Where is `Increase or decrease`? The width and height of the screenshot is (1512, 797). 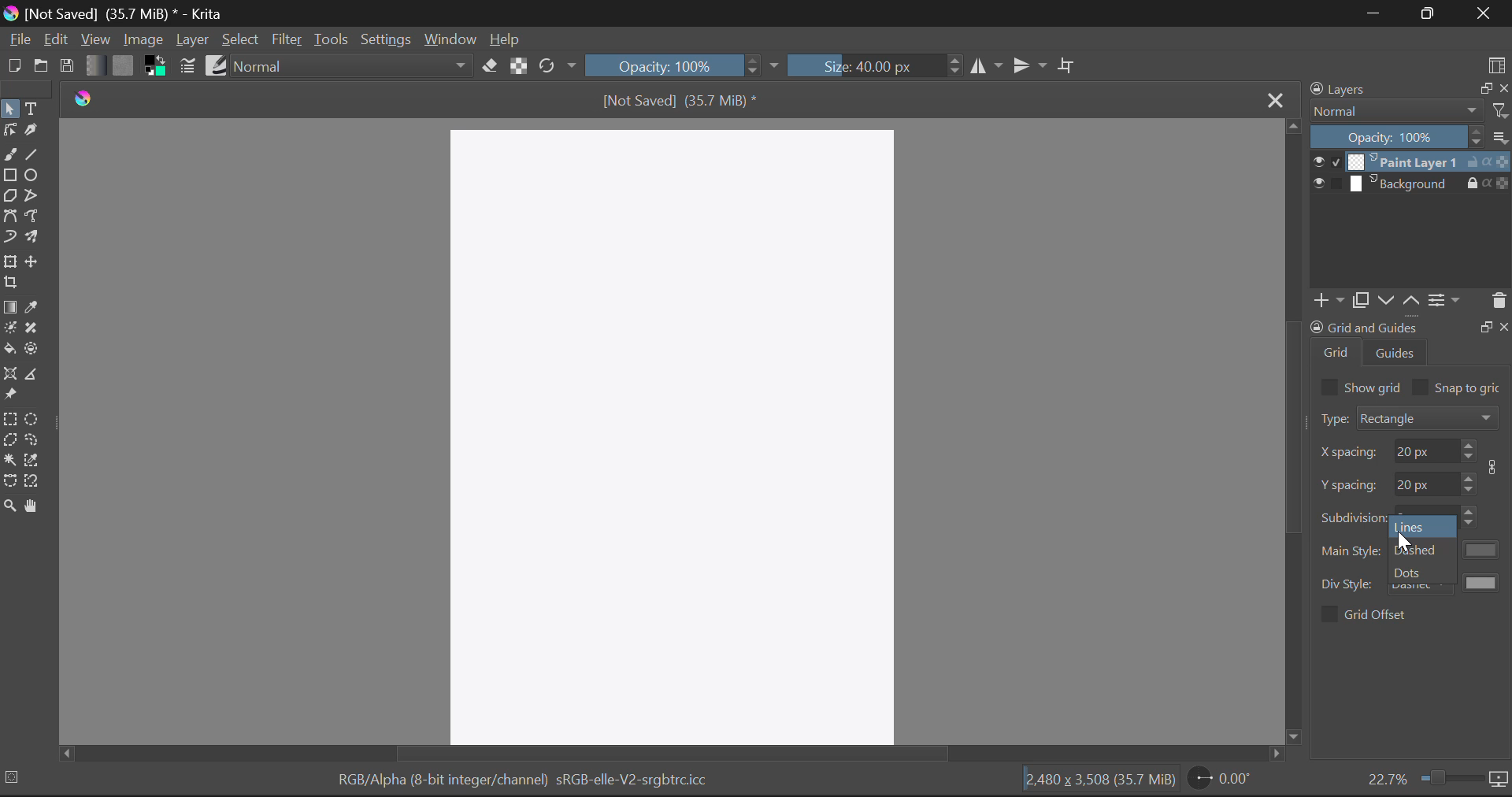
Increase or decrease is located at coordinates (1469, 450).